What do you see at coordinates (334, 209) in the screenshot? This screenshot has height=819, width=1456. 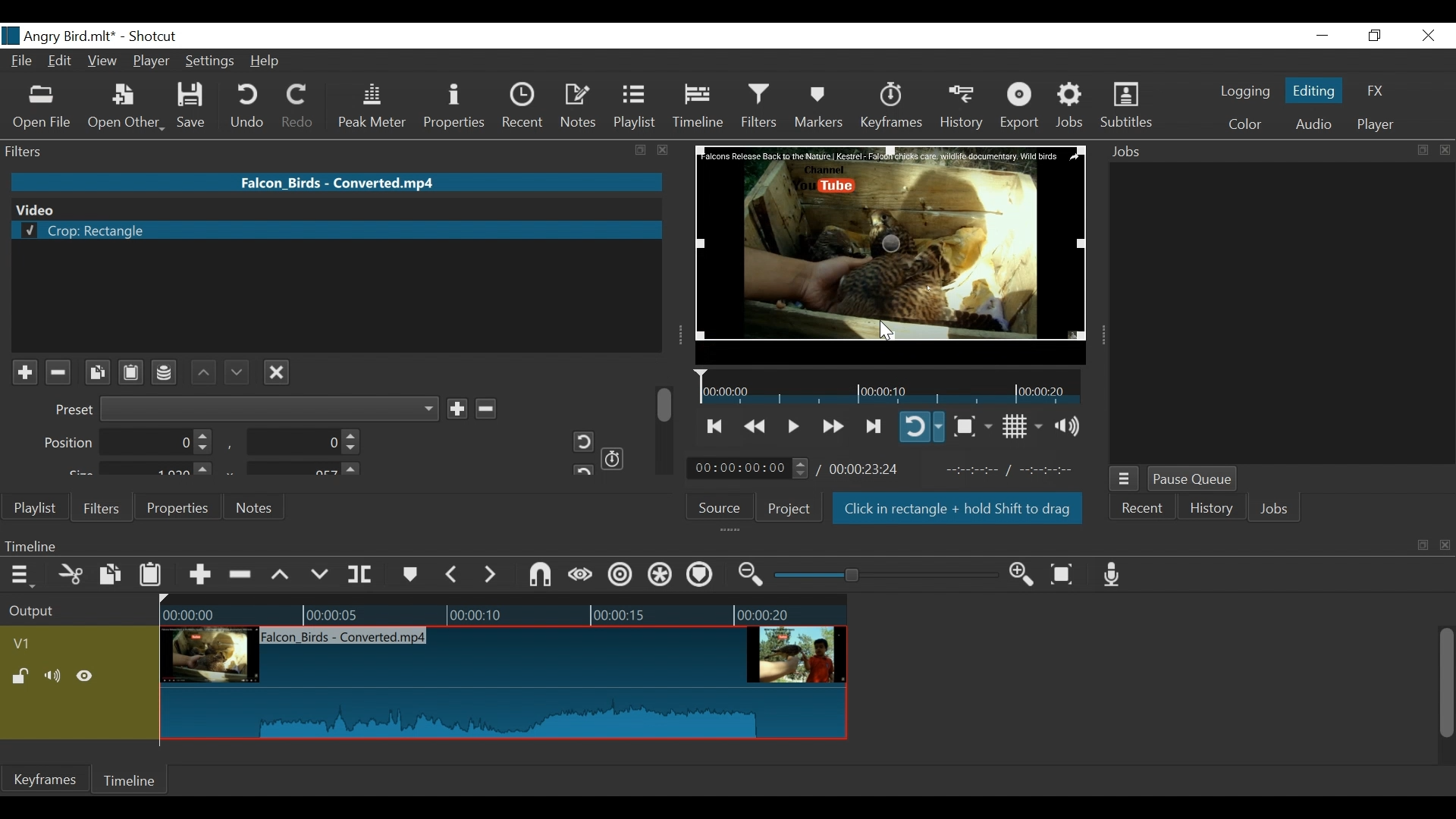 I see `Video` at bounding box center [334, 209].